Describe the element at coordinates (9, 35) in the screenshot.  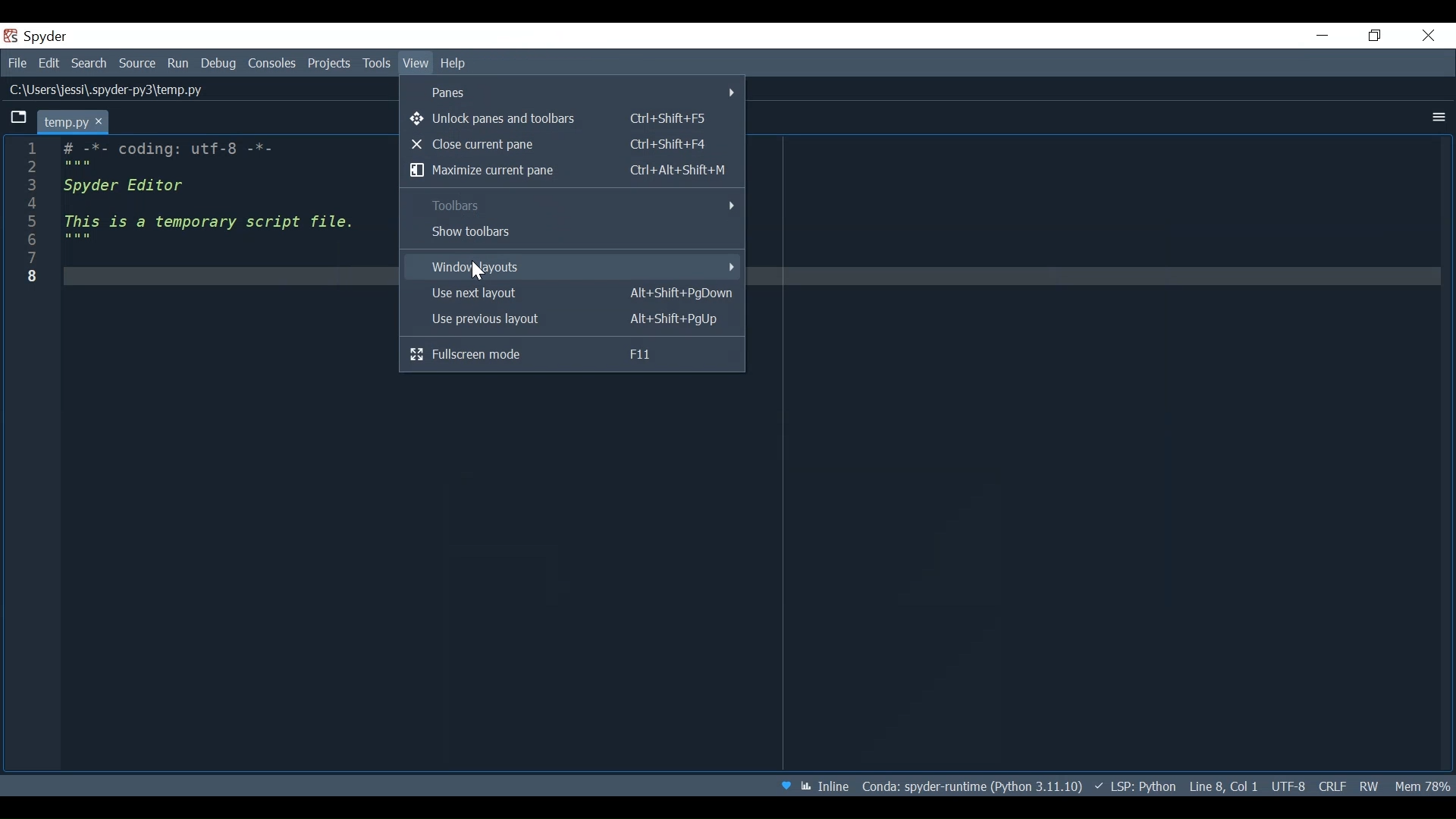
I see `Spyder Desktop Icon` at that location.